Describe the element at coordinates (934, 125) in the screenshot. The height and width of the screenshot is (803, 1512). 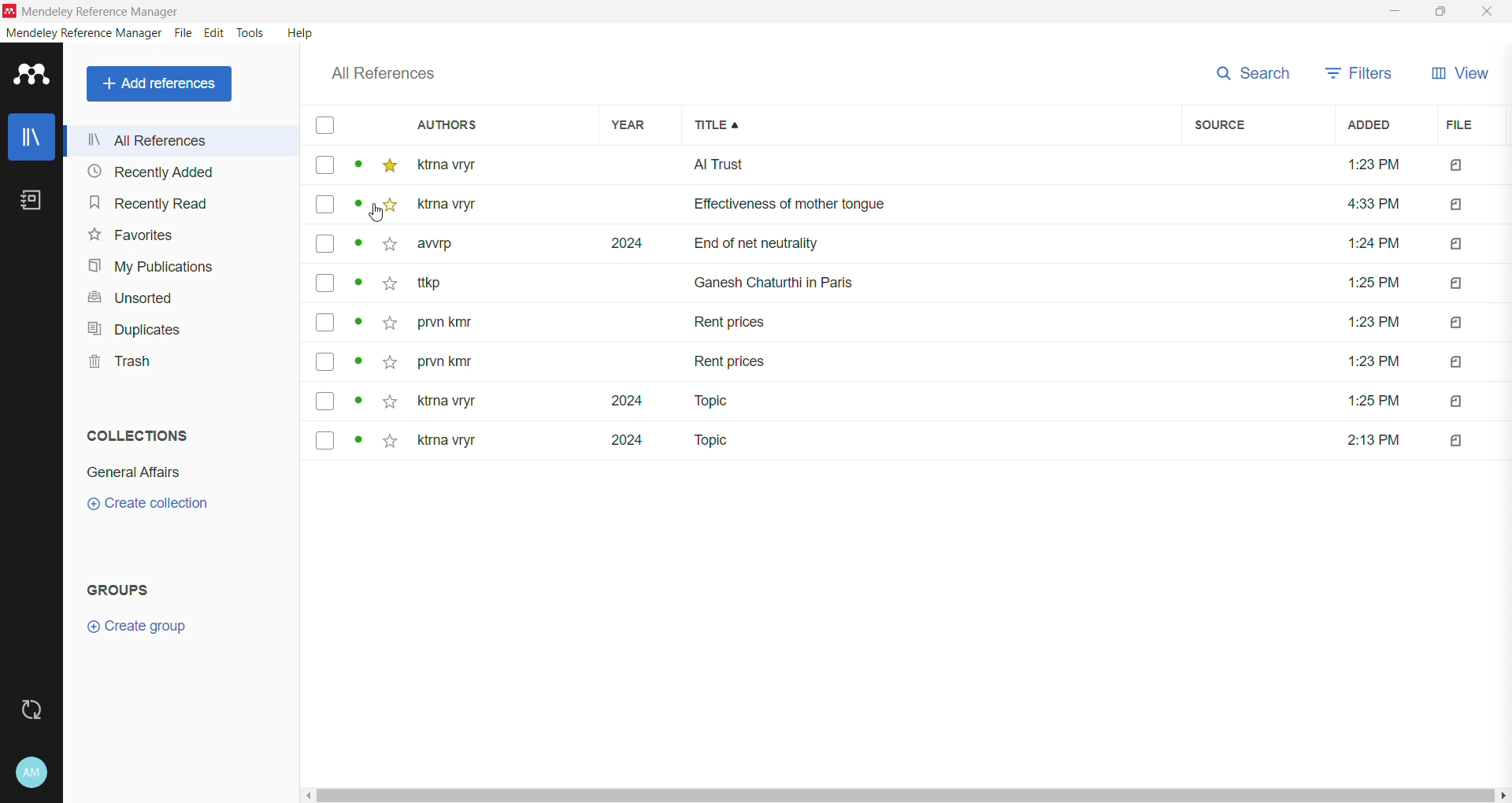
I see `Title` at that location.